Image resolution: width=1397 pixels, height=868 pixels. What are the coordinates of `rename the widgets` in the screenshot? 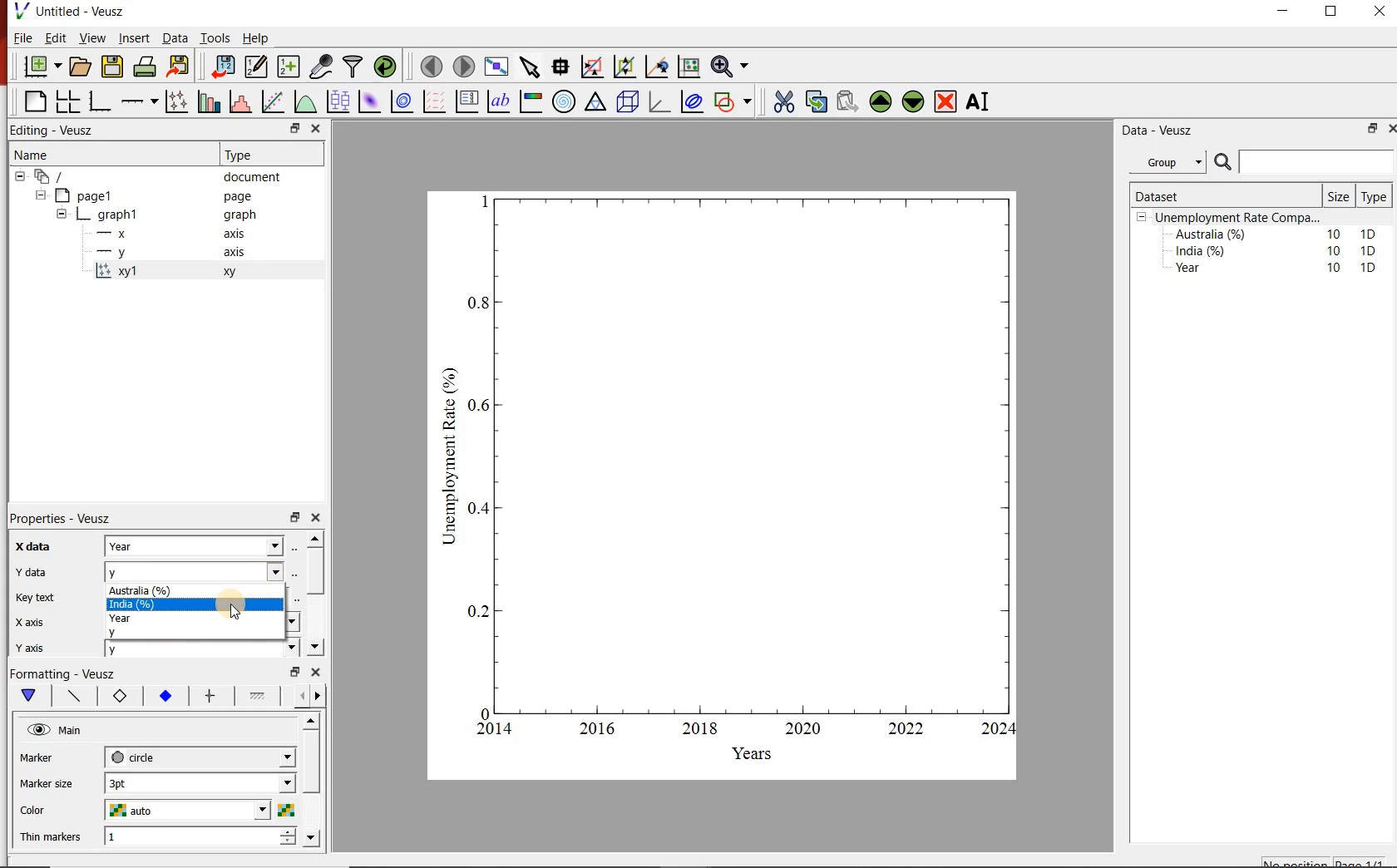 It's located at (981, 101).